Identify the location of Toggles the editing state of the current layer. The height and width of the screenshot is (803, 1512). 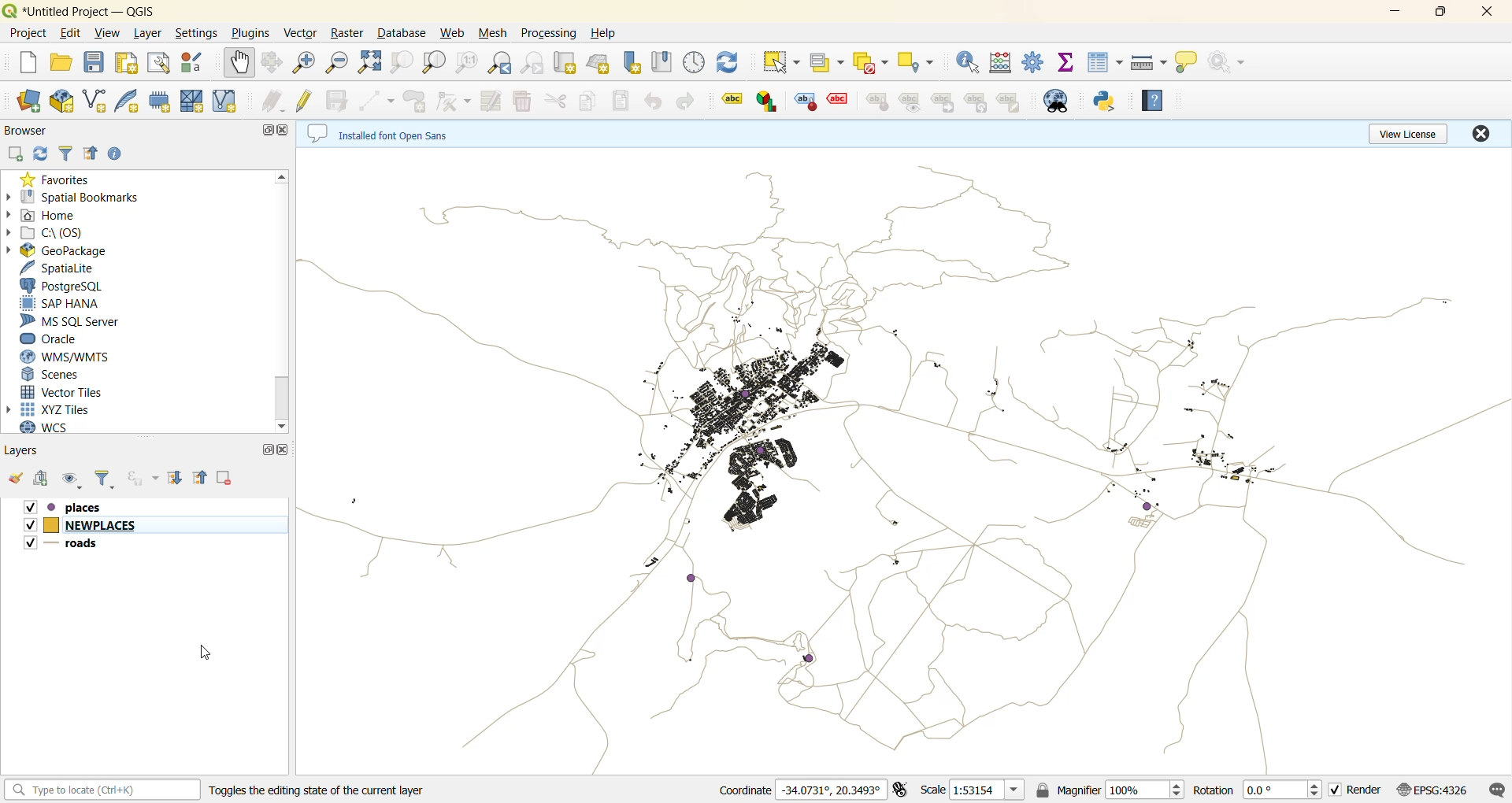
(334, 790).